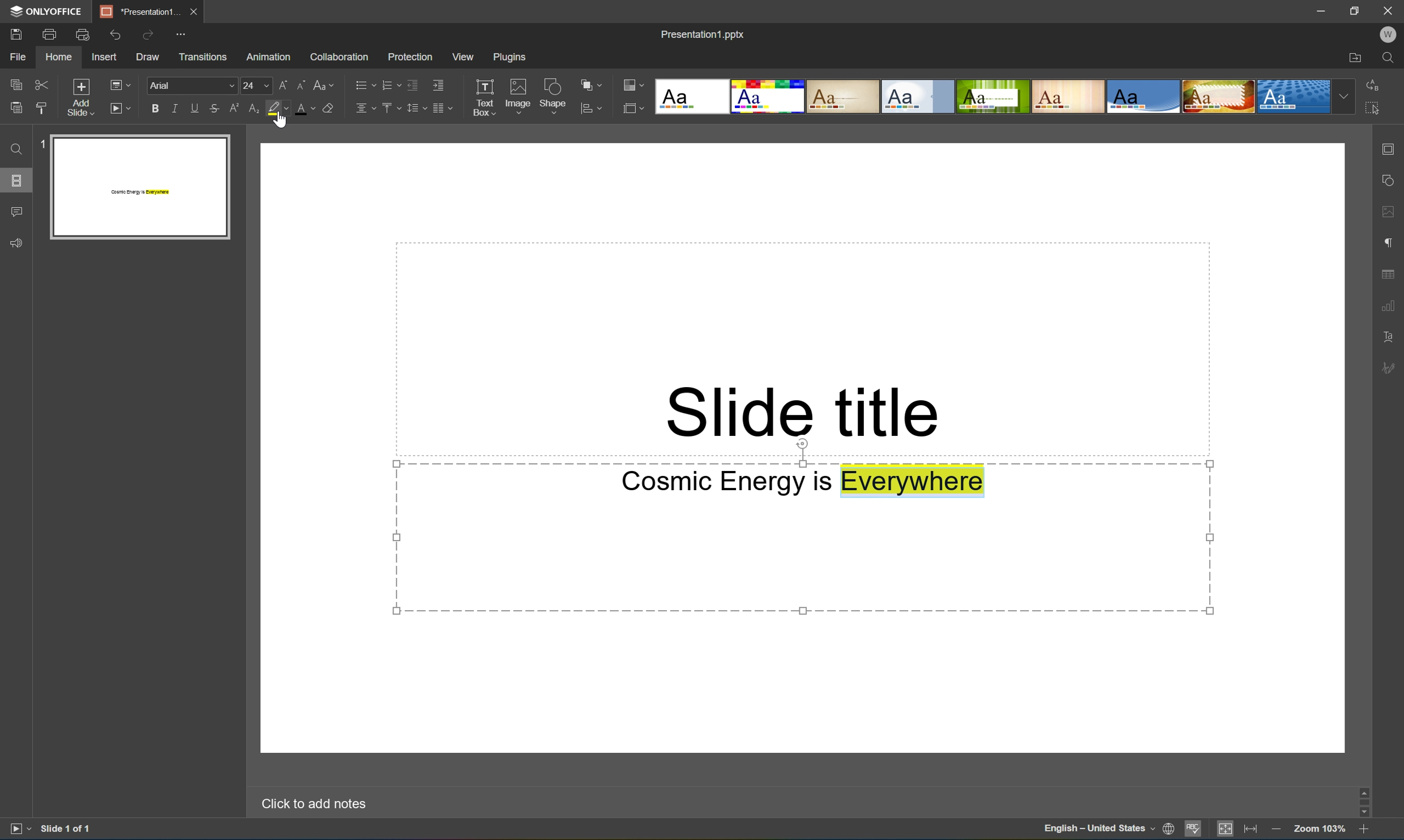  What do you see at coordinates (45, 83) in the screenshot?
I see `Cut` at bounding box center [45, 83].